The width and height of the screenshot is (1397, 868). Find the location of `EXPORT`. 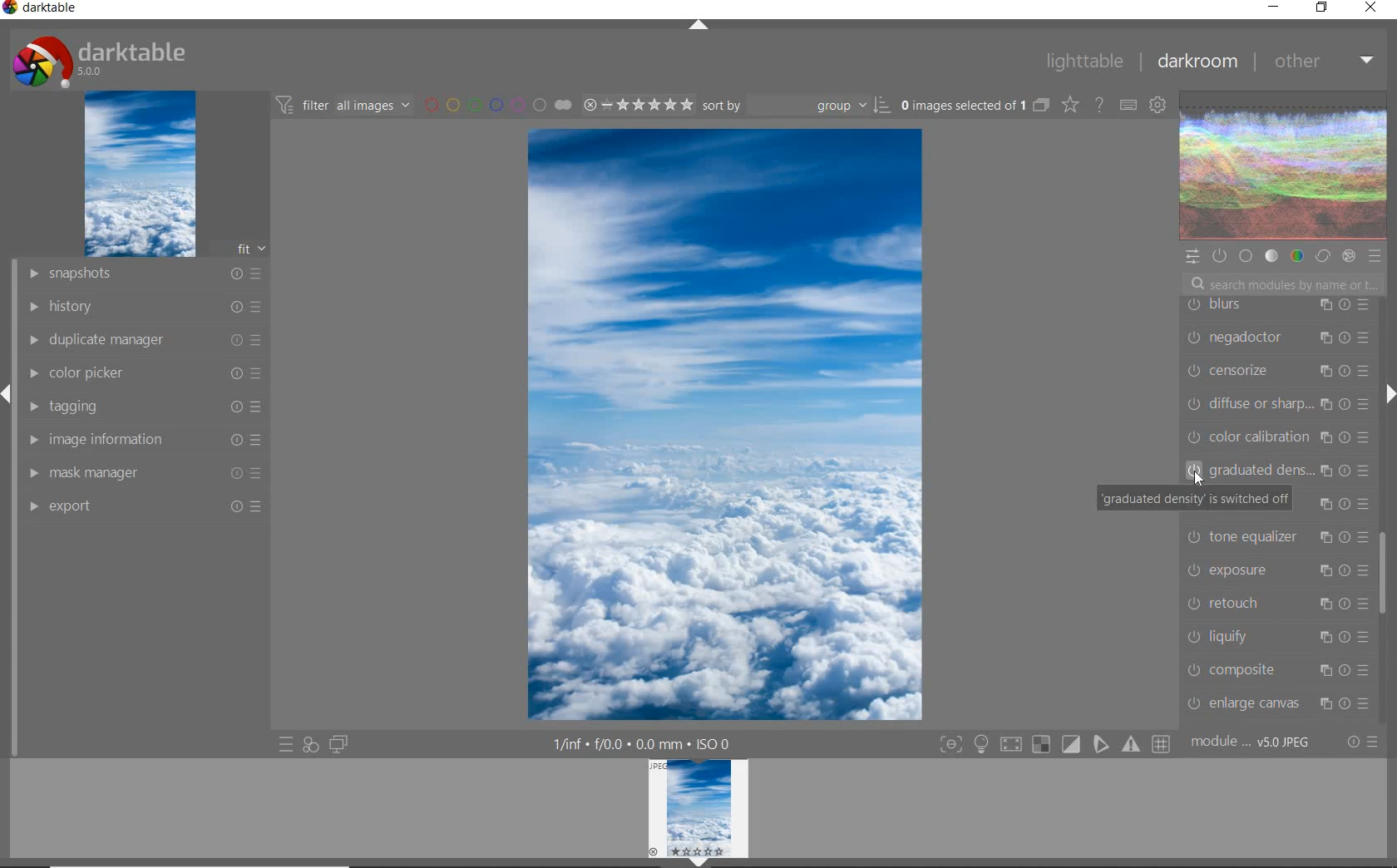

EXPORT is located at coordinates (143, 506).